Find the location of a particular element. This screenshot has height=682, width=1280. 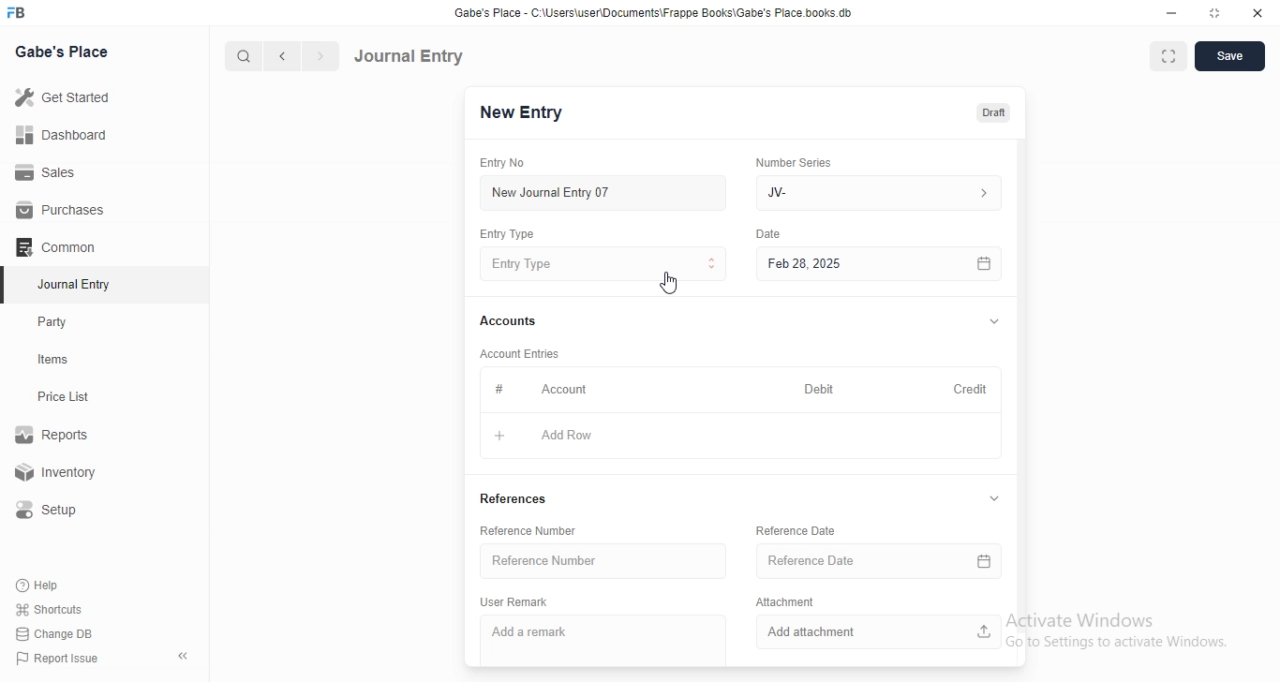

Purchases is located at coordinates (61, 210).